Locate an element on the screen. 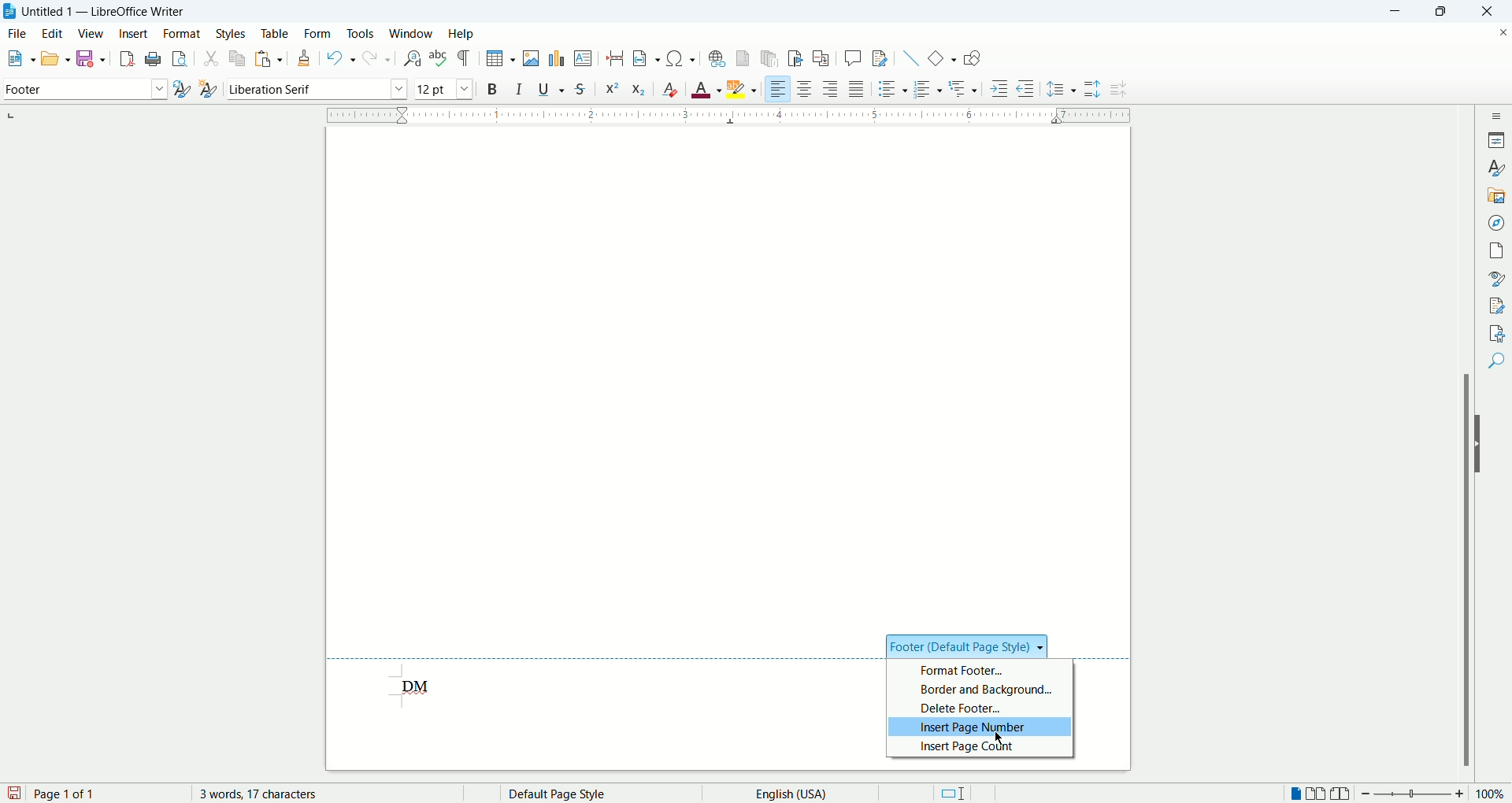 The image size is (1512, 803). insert is located at coordinates (133, 33).